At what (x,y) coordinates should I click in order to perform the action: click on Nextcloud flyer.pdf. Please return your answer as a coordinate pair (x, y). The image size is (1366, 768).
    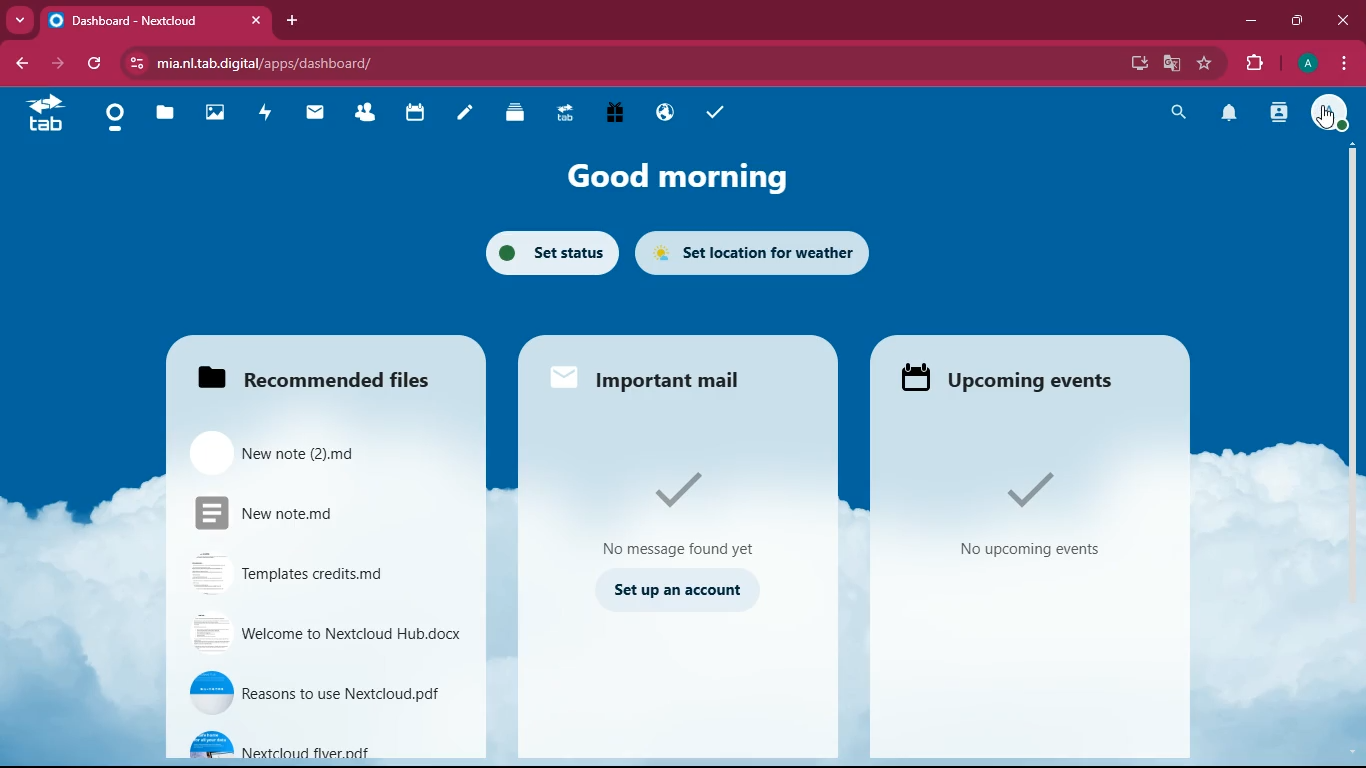
    Looking at the image, I should click on (312, 747).